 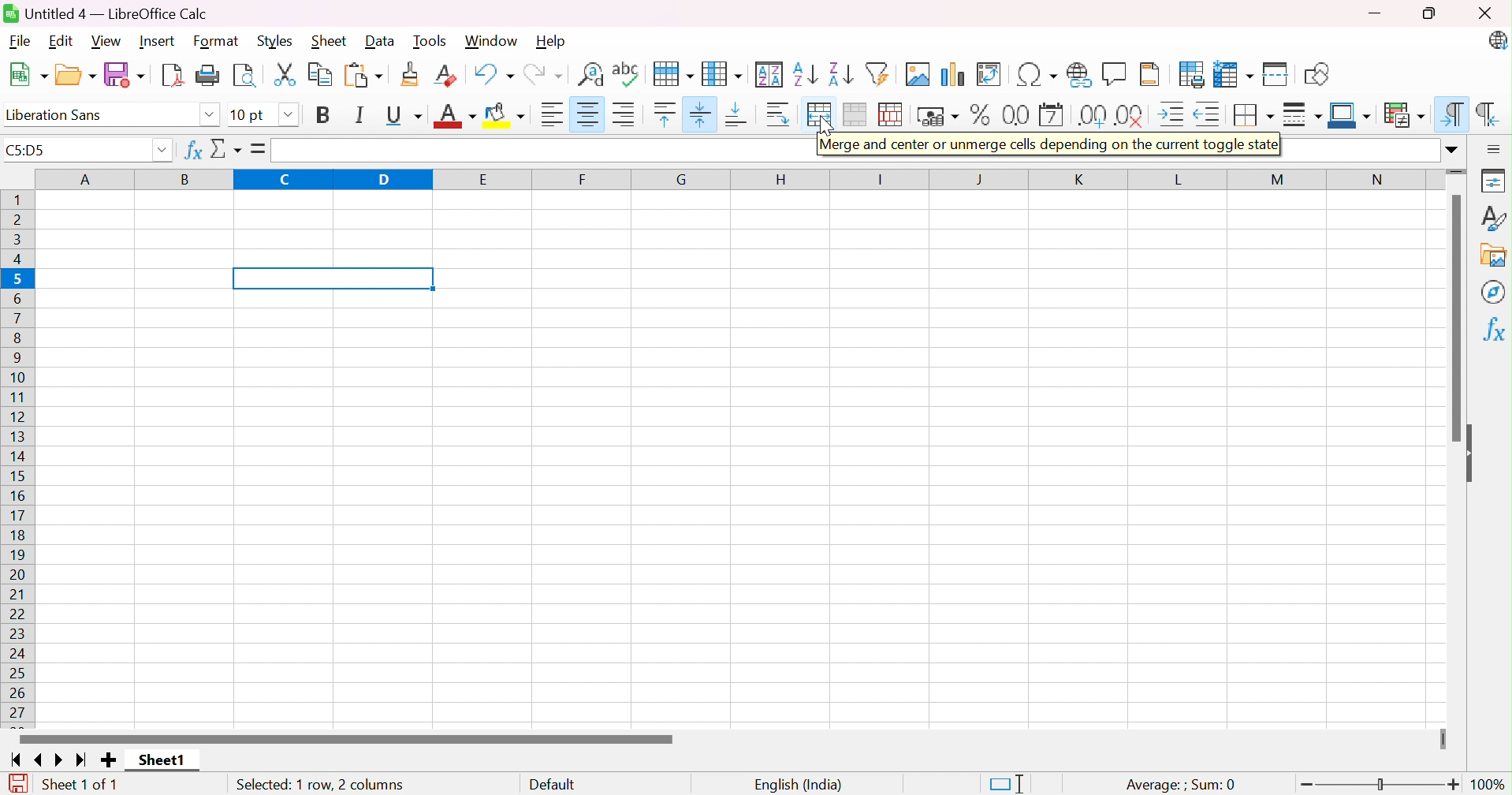 What do you see at coordinates (1492, 255) in the screenshot?
I see `Gallery` at bounding box center [1492, 255].